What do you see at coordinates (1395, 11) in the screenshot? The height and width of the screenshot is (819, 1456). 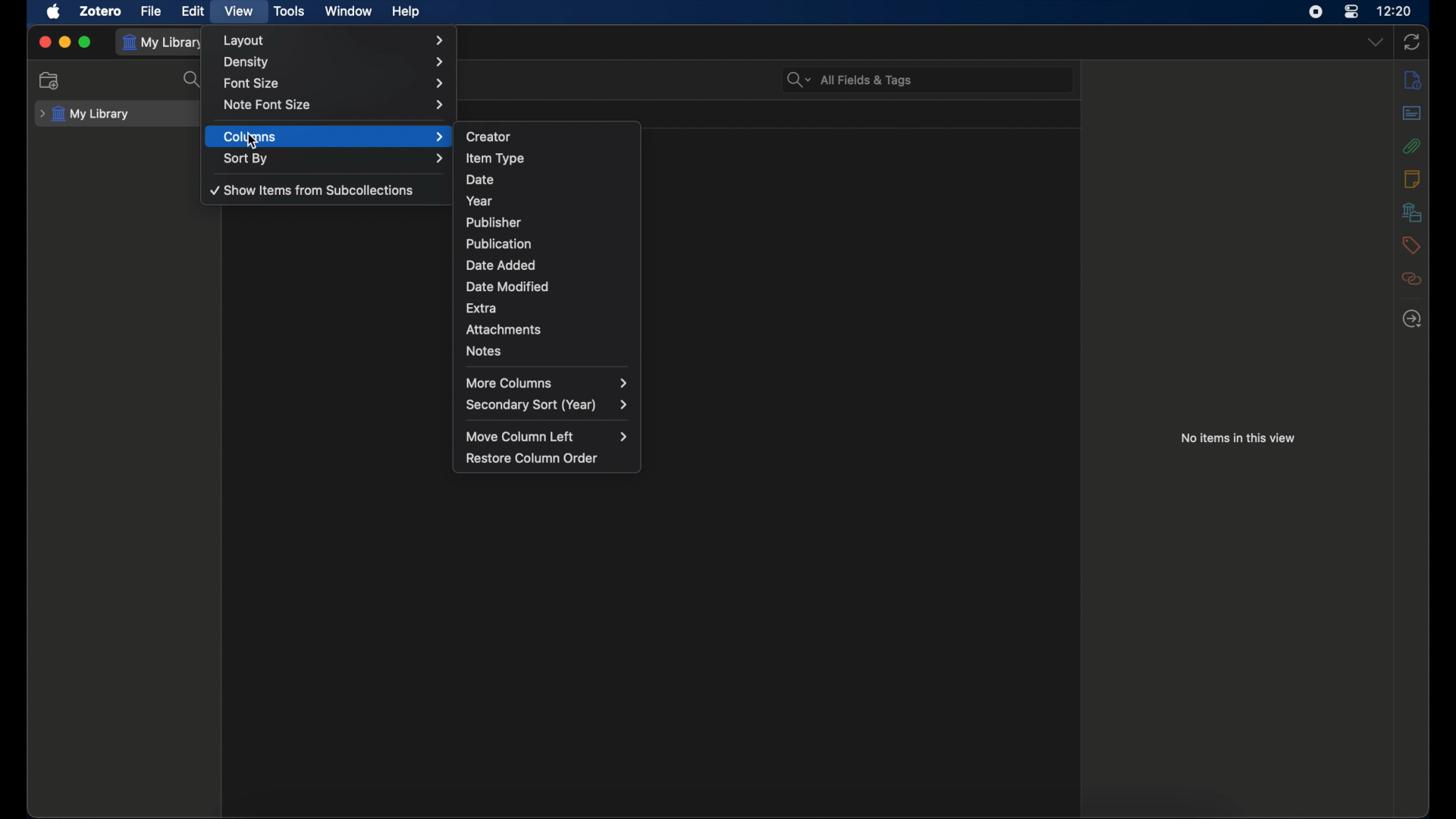 I see `time` at bounding box center [1395, 11].